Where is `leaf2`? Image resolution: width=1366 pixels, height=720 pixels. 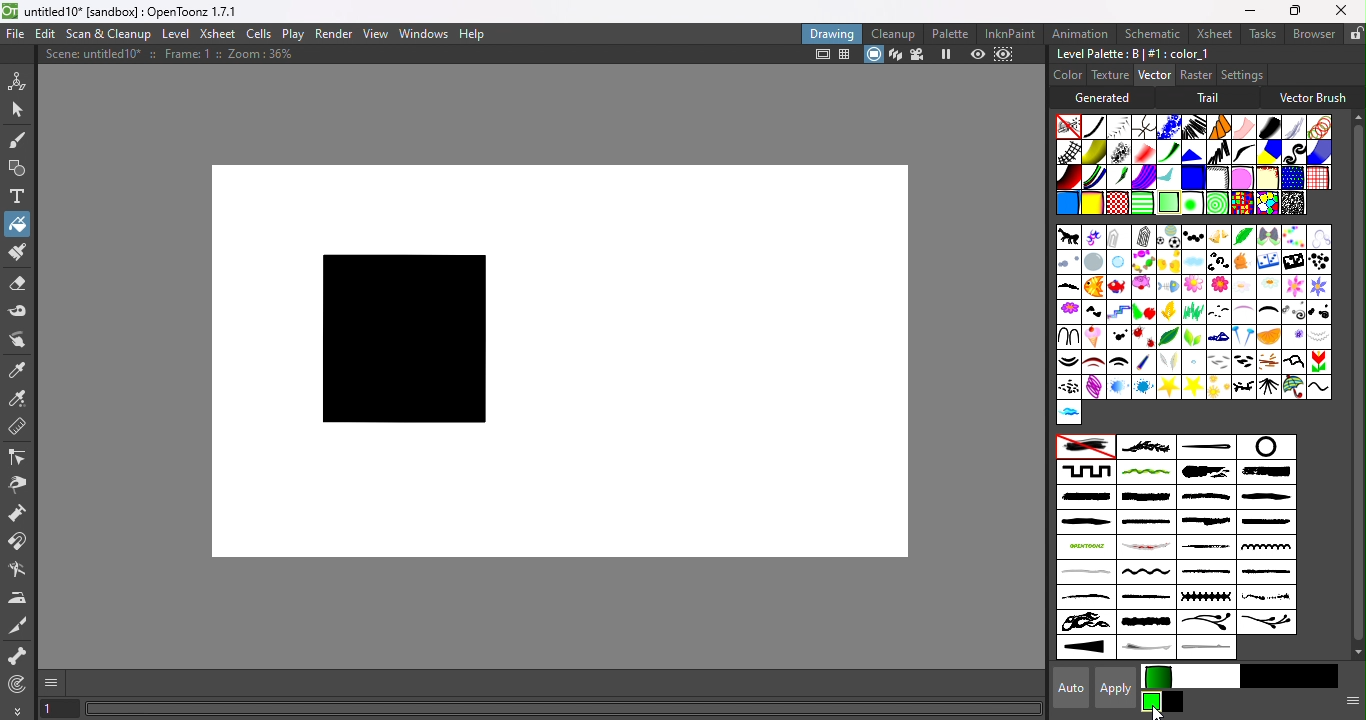 leaf2 is located at coordinates (1194, 337).